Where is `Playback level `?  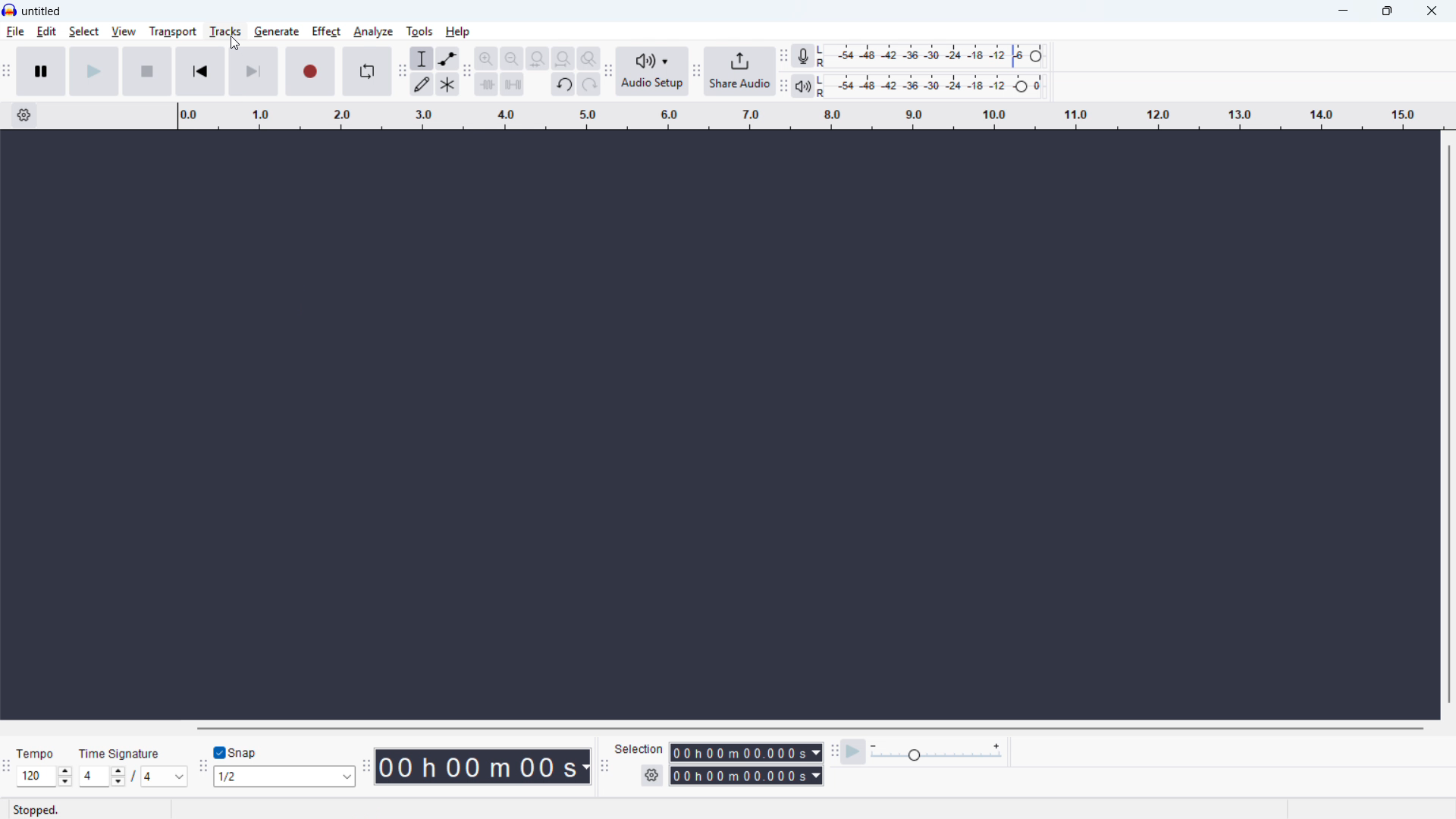 Playback level  is located at coordinates (928, 86).